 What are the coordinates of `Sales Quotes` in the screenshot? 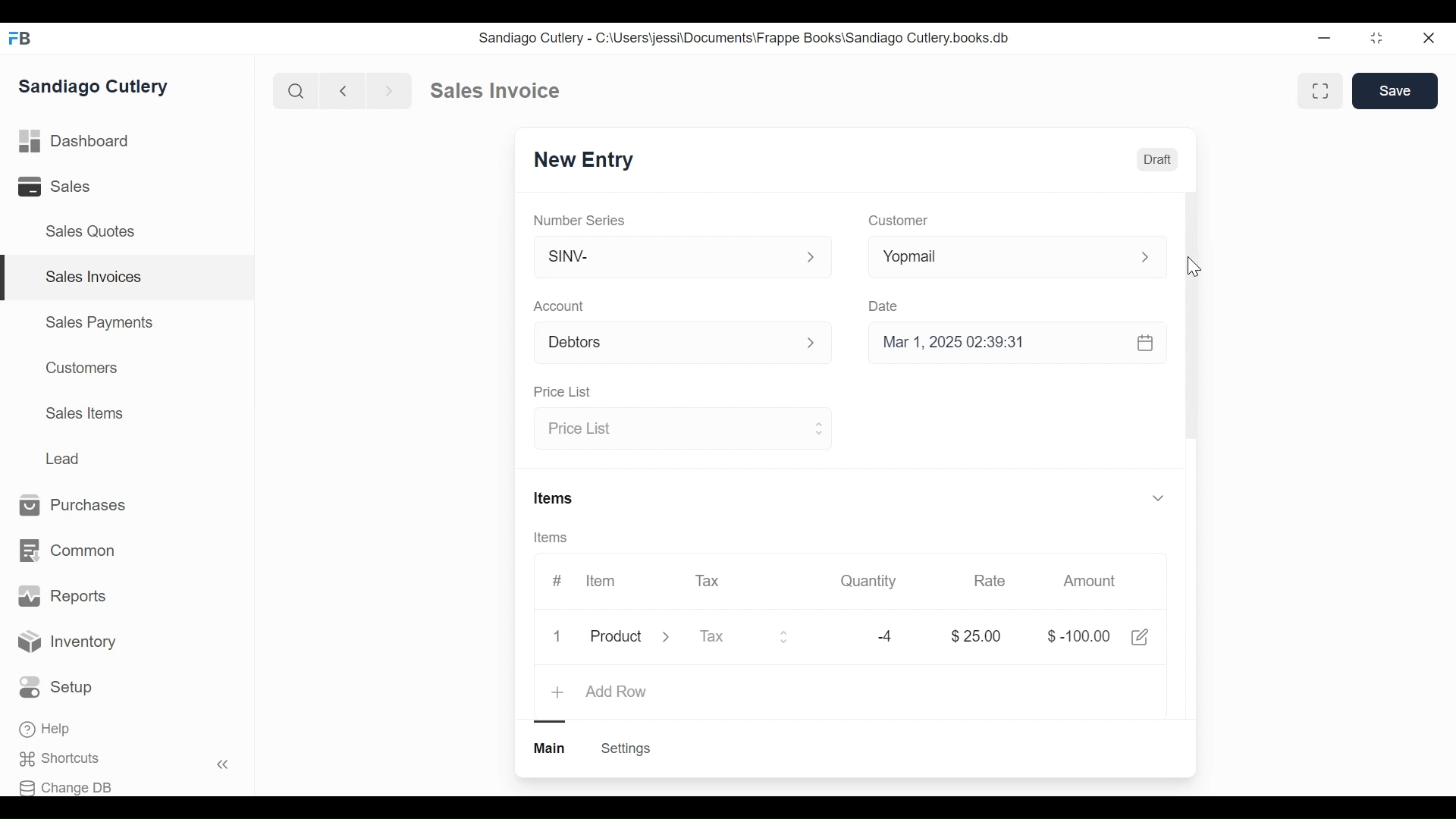 It's located at (93, 231).